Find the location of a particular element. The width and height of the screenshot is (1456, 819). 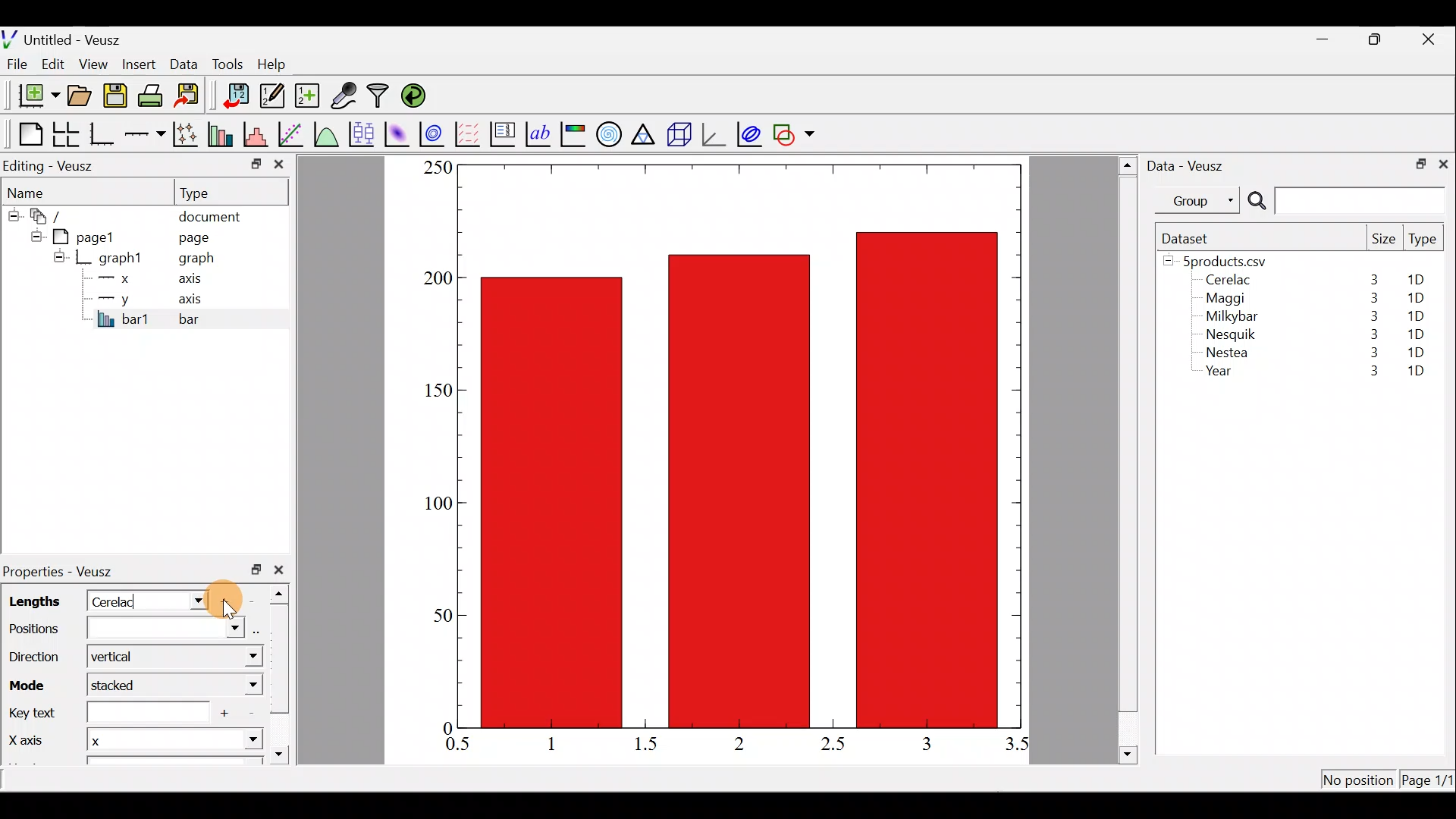

Mode is located at coordinates (32, 682).